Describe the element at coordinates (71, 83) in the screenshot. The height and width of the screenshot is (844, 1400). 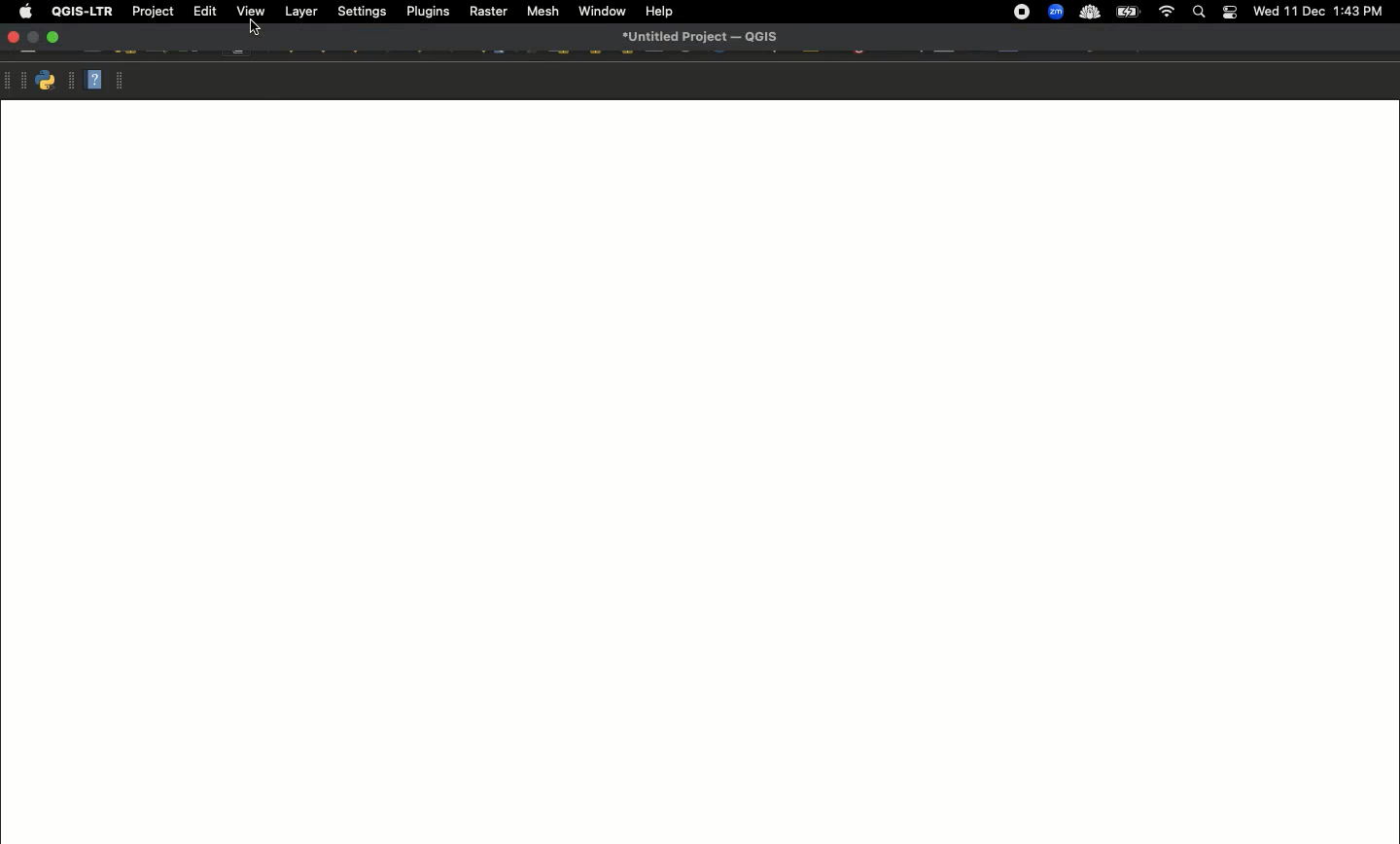
I see `` at that location.